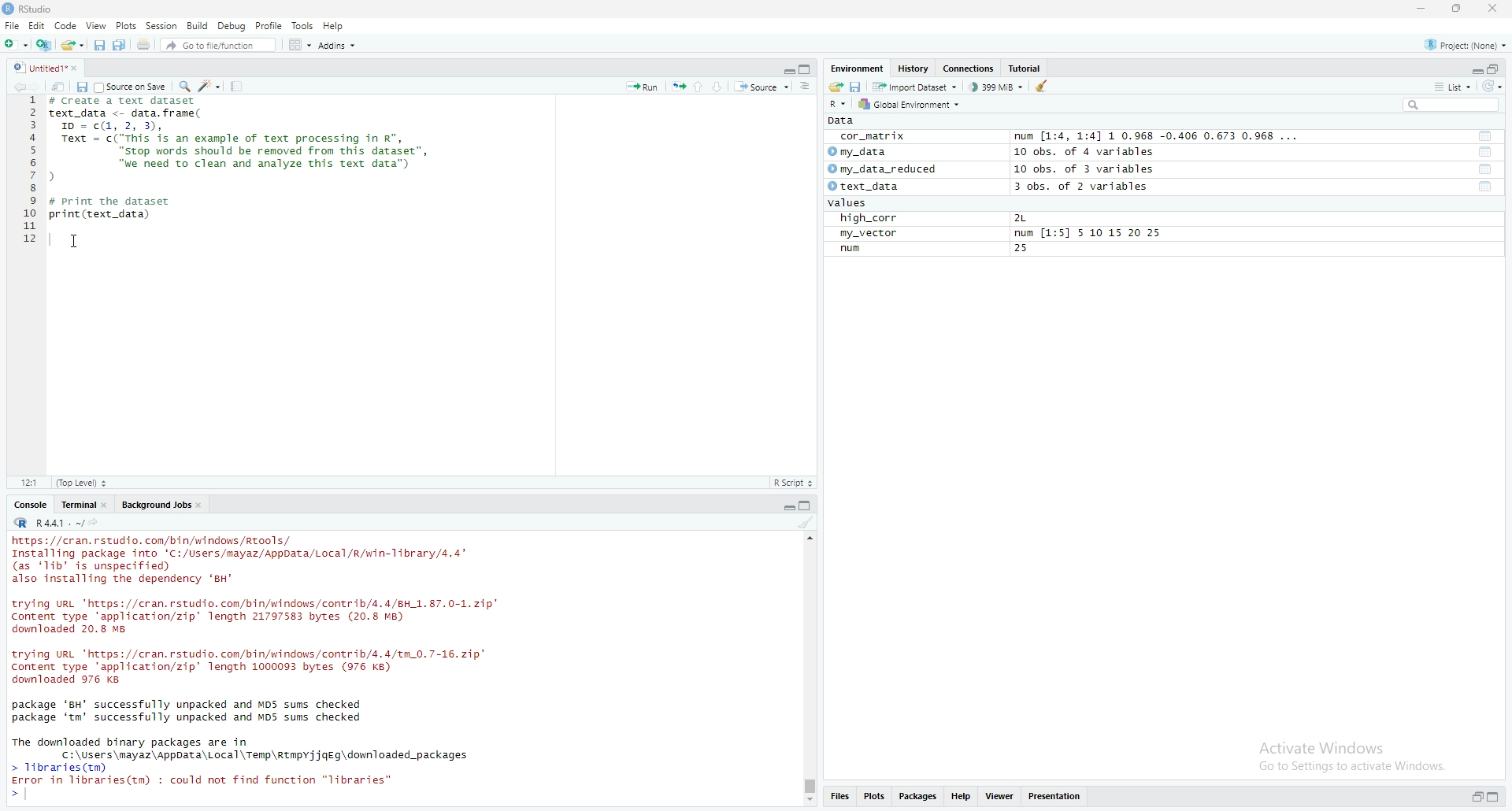 This screenshot has height=811, width=1512. Describe the element at coordinates (183, 85) in the screenshot. I see `find/replace` at that location.